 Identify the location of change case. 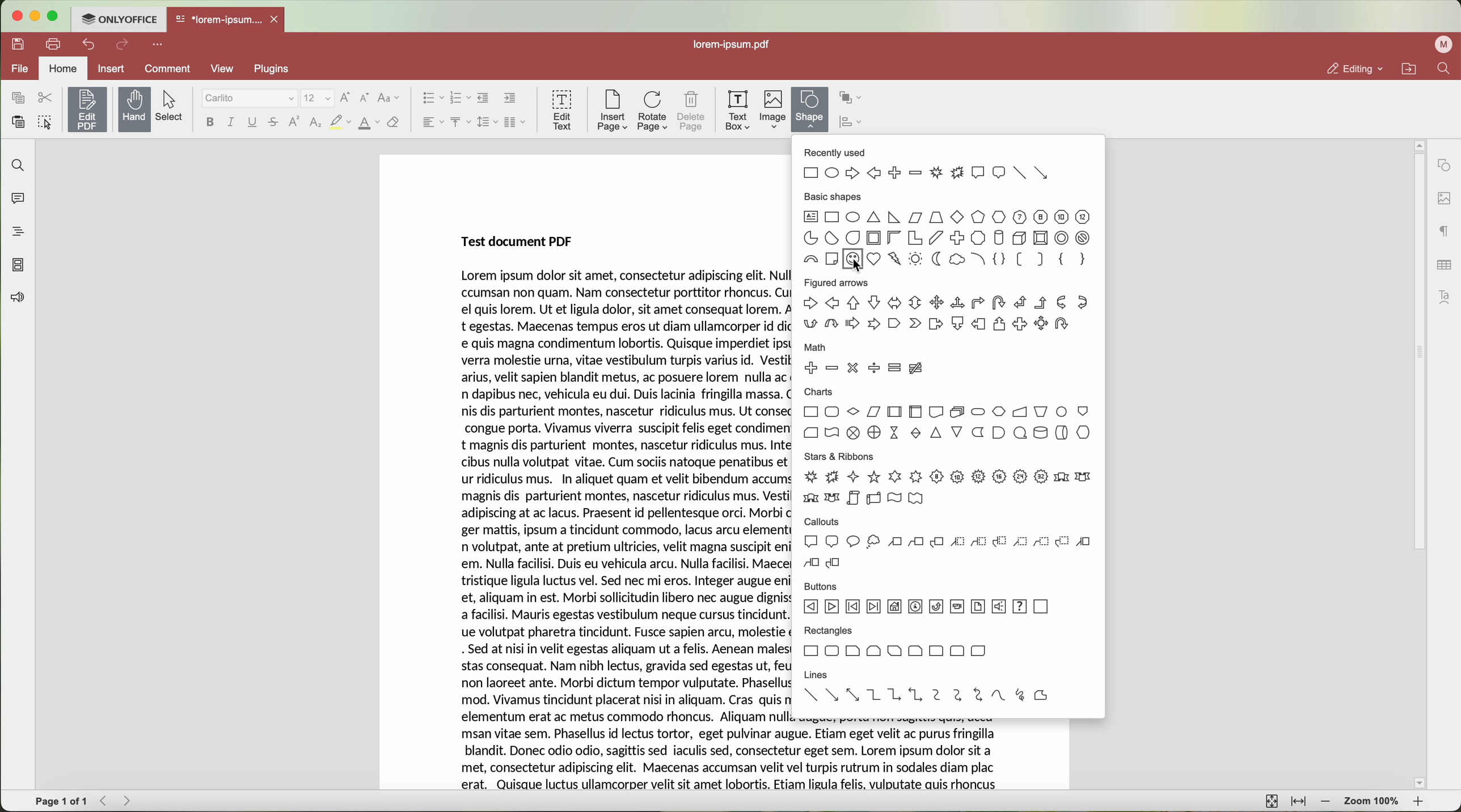
(389, 98).